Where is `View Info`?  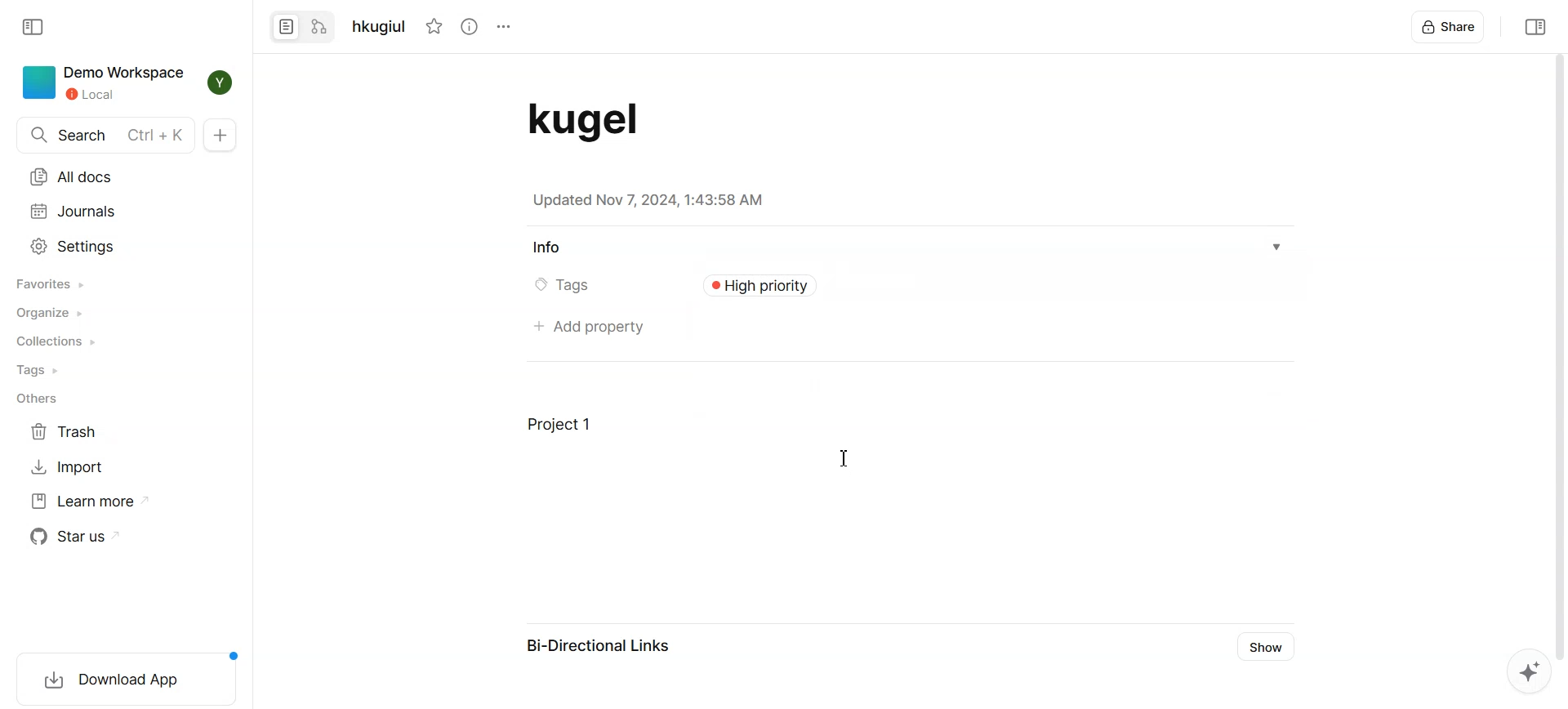 View Info is located at coordinates (470, 26).